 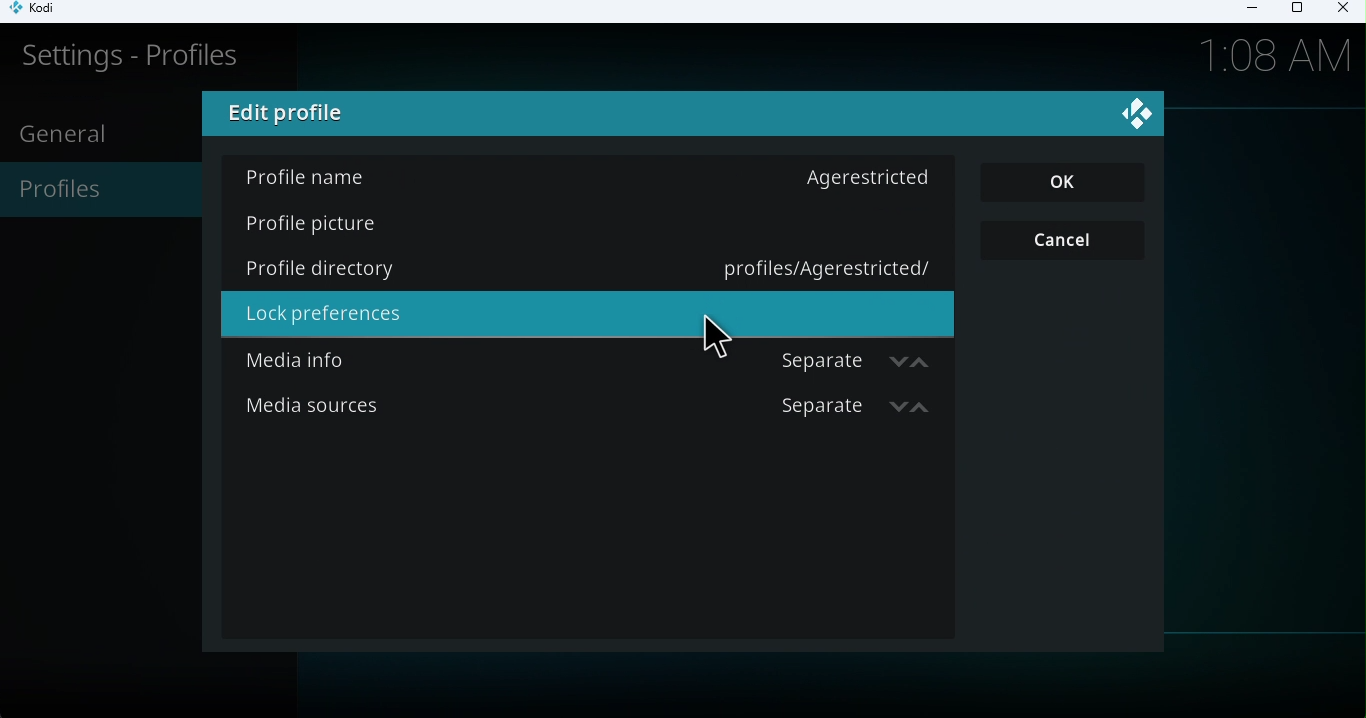 I want to click on OK, so click(x=1064, y=183).